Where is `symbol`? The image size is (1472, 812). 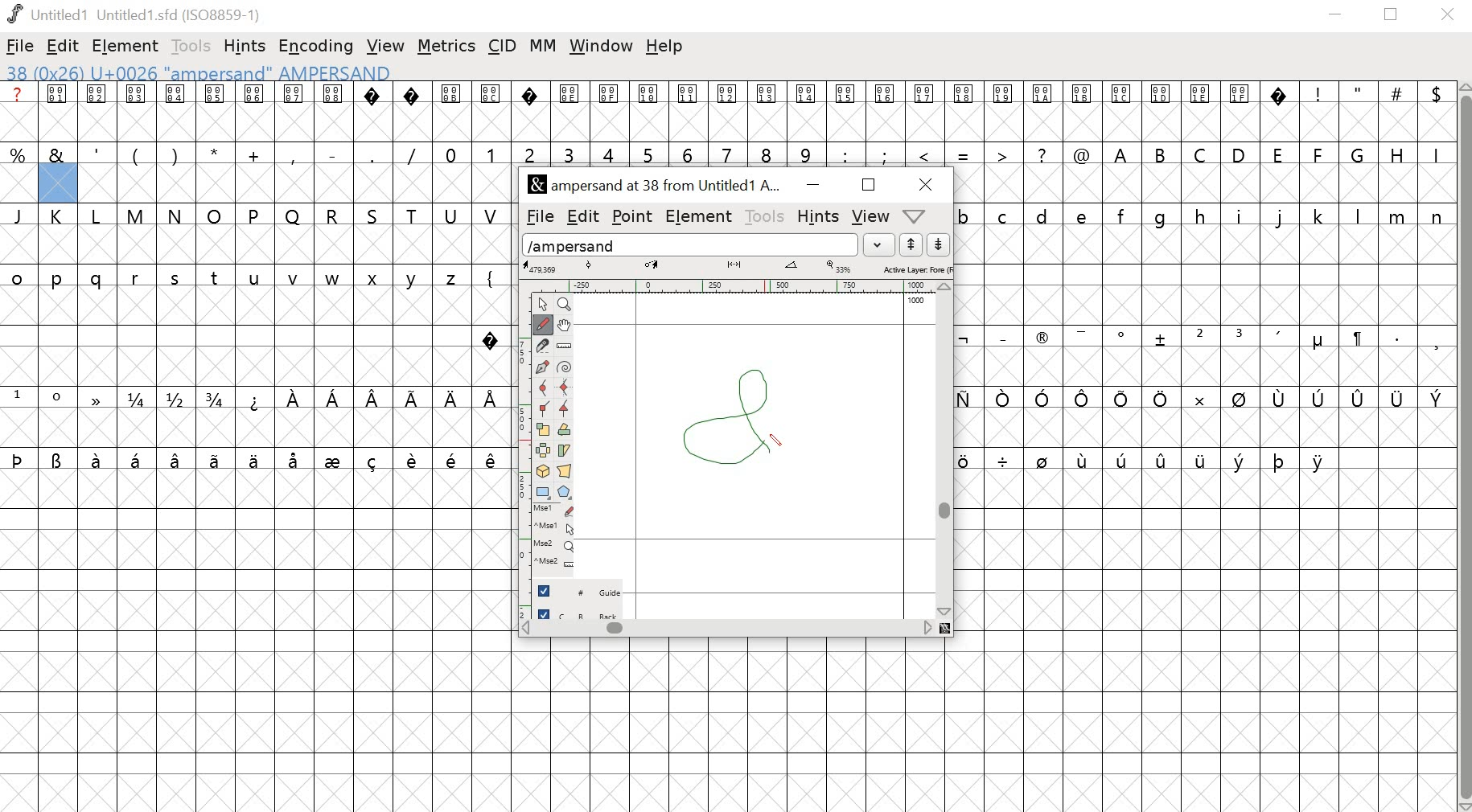
symbol is located at coordinates (964, 338).